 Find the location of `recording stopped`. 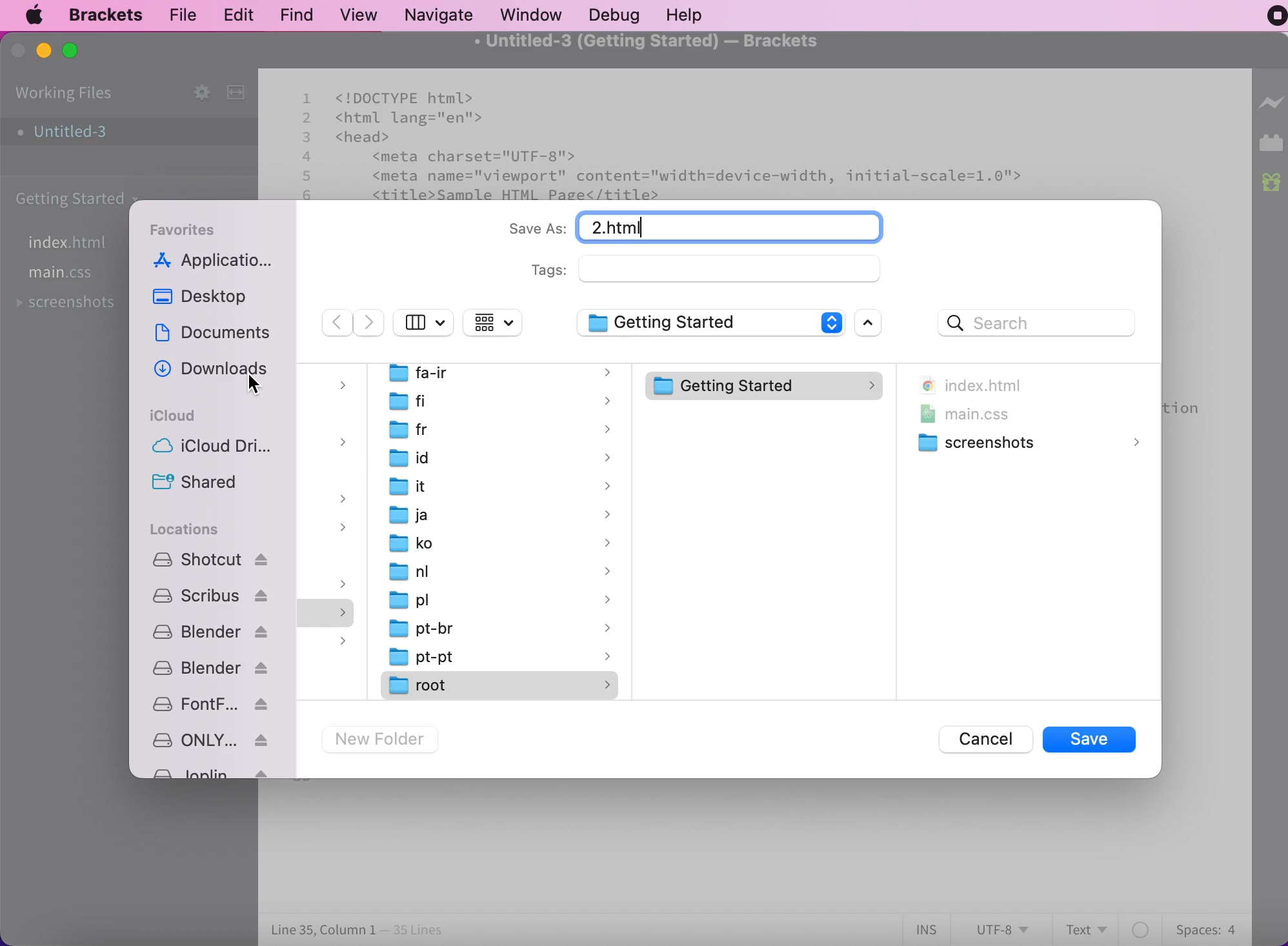

recording stopped is located at coordinates (1277, 17).